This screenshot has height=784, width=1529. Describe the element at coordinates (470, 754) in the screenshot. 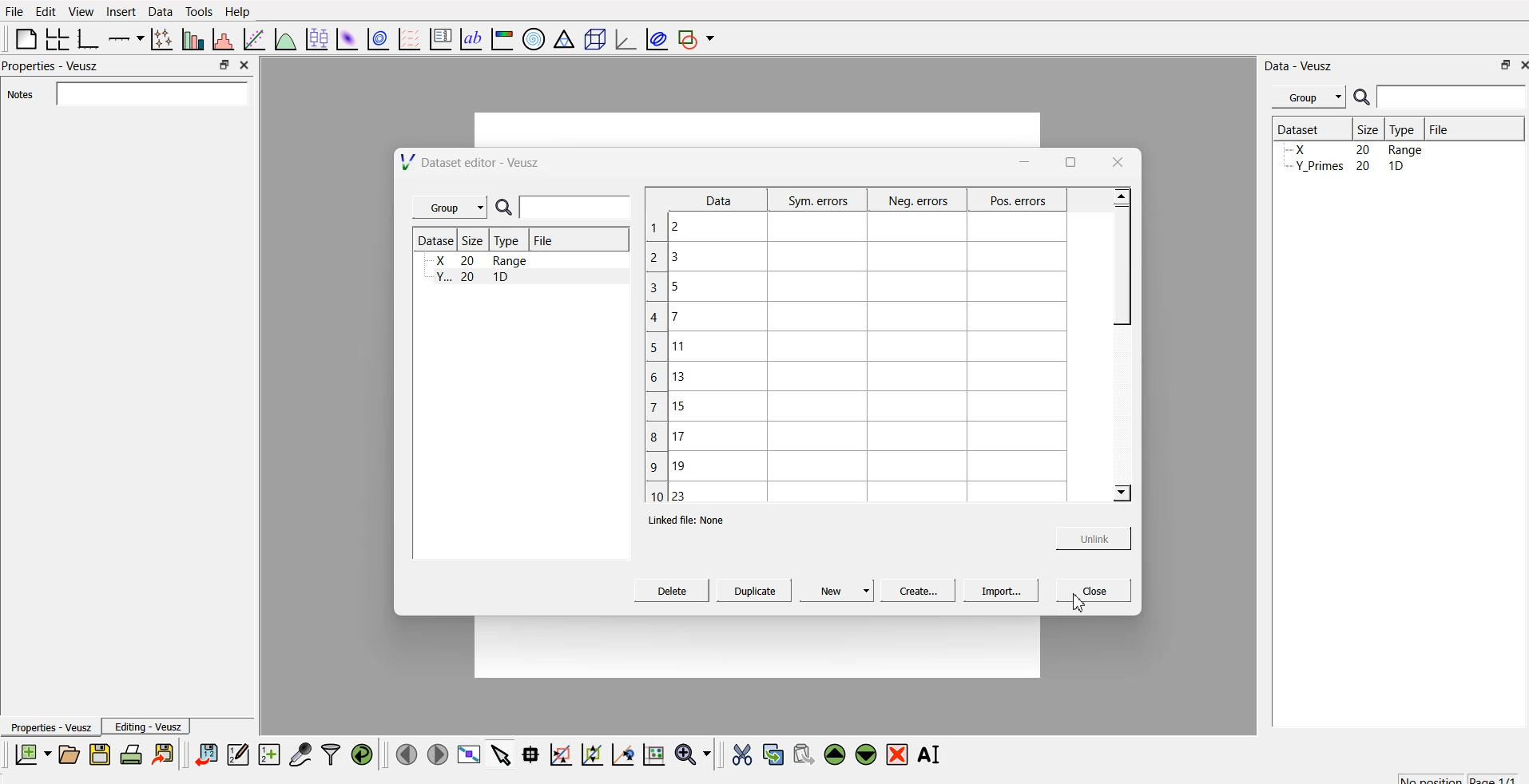

I see `view plot full screen` at that location.